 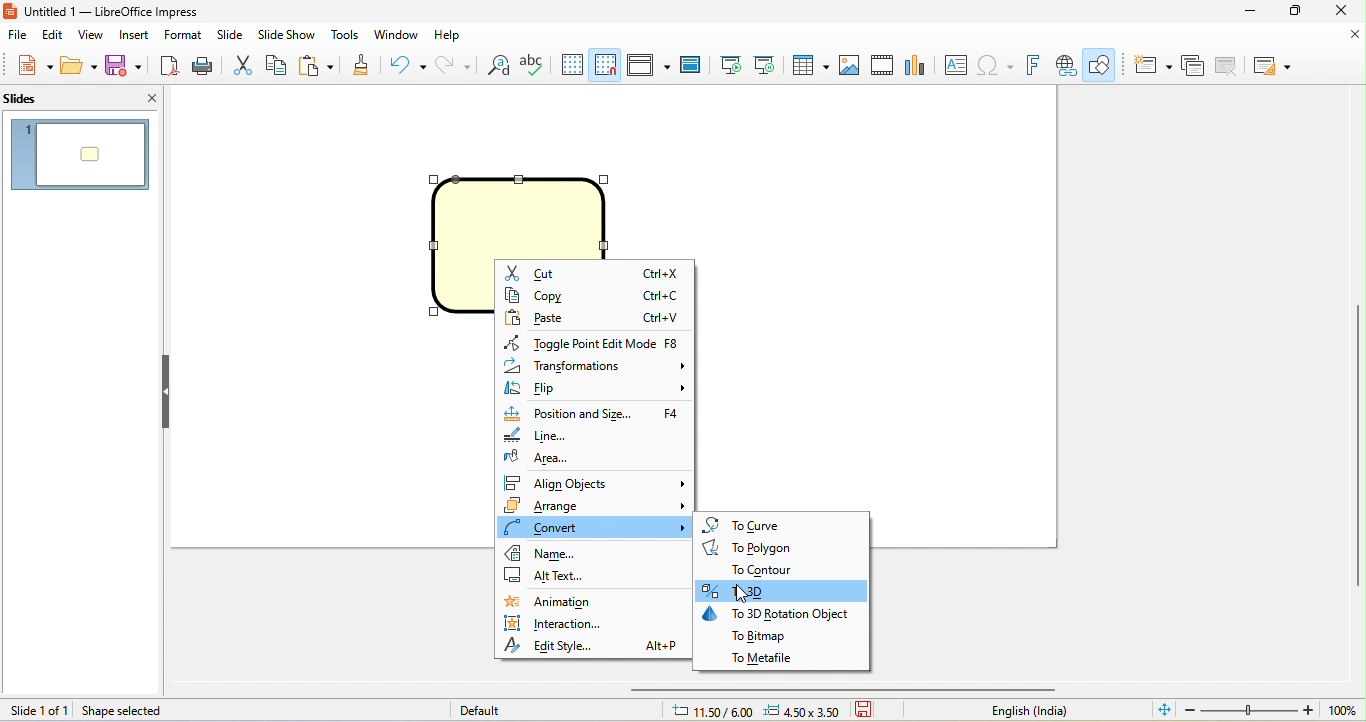 I want to click on alt text, so click(x=564, y=578).